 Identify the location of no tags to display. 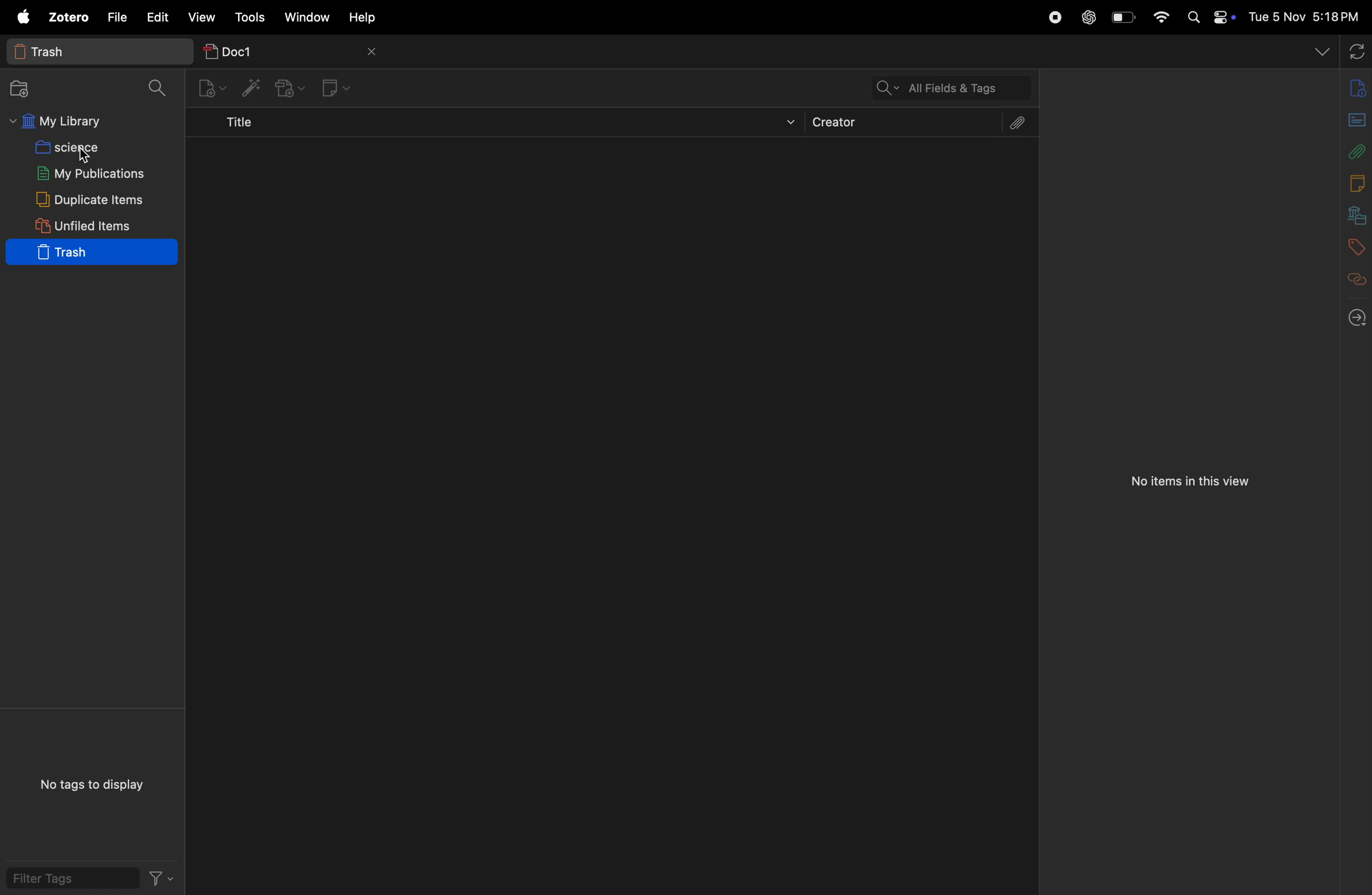
(92, 783).